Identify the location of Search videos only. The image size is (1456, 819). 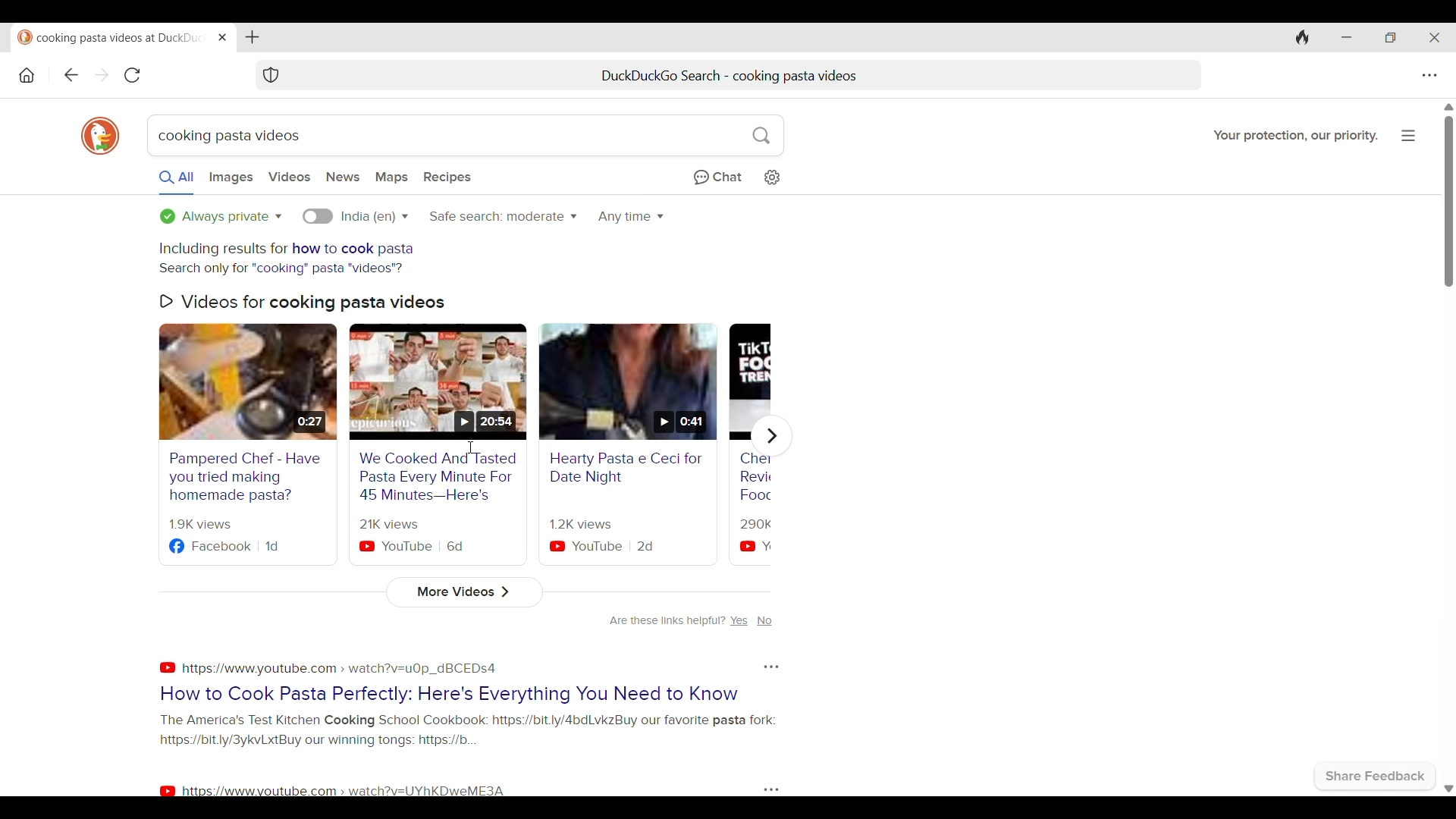
(290, 177).